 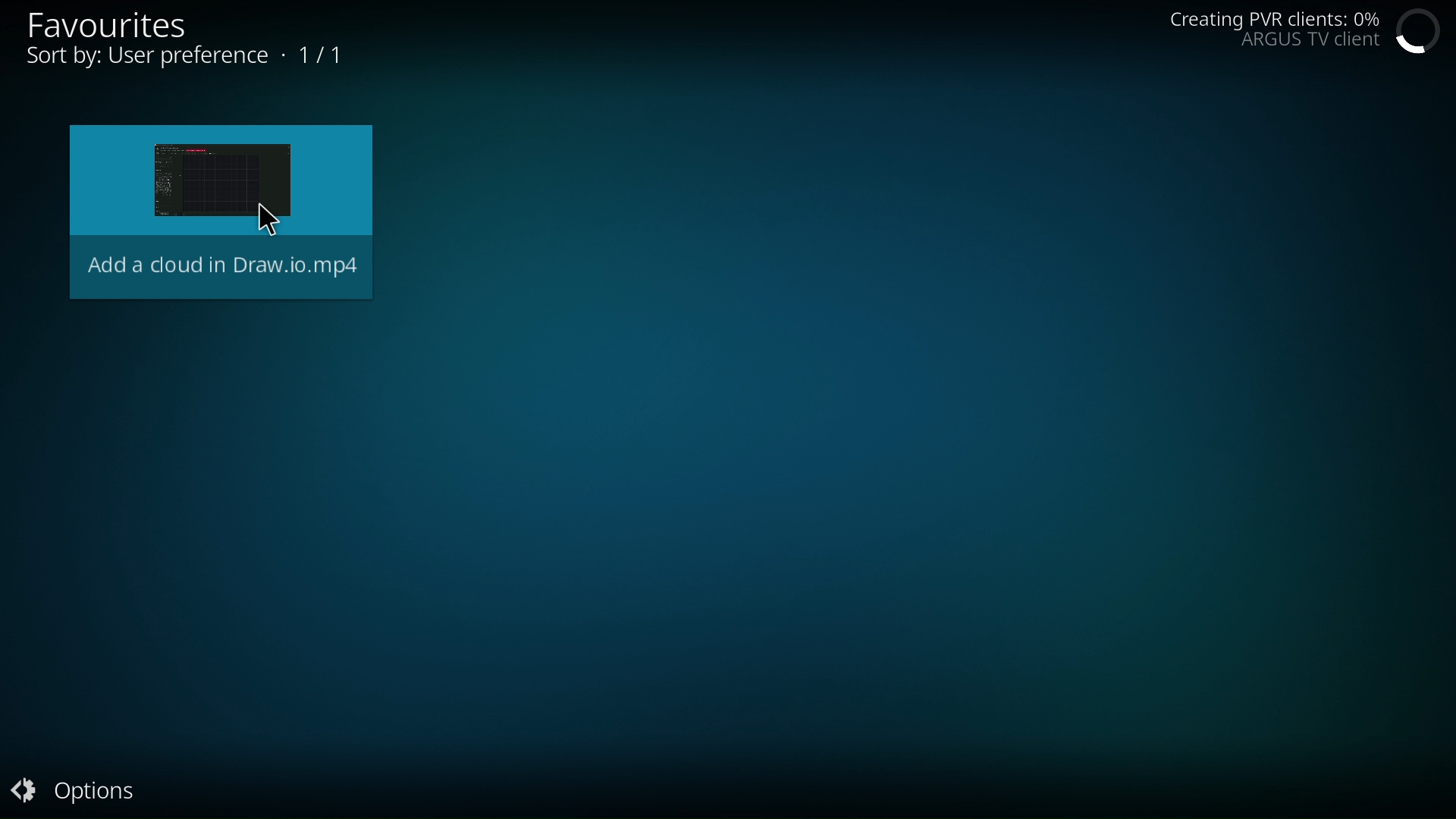 I want to click on favoritess, so click(x=122, y=23).